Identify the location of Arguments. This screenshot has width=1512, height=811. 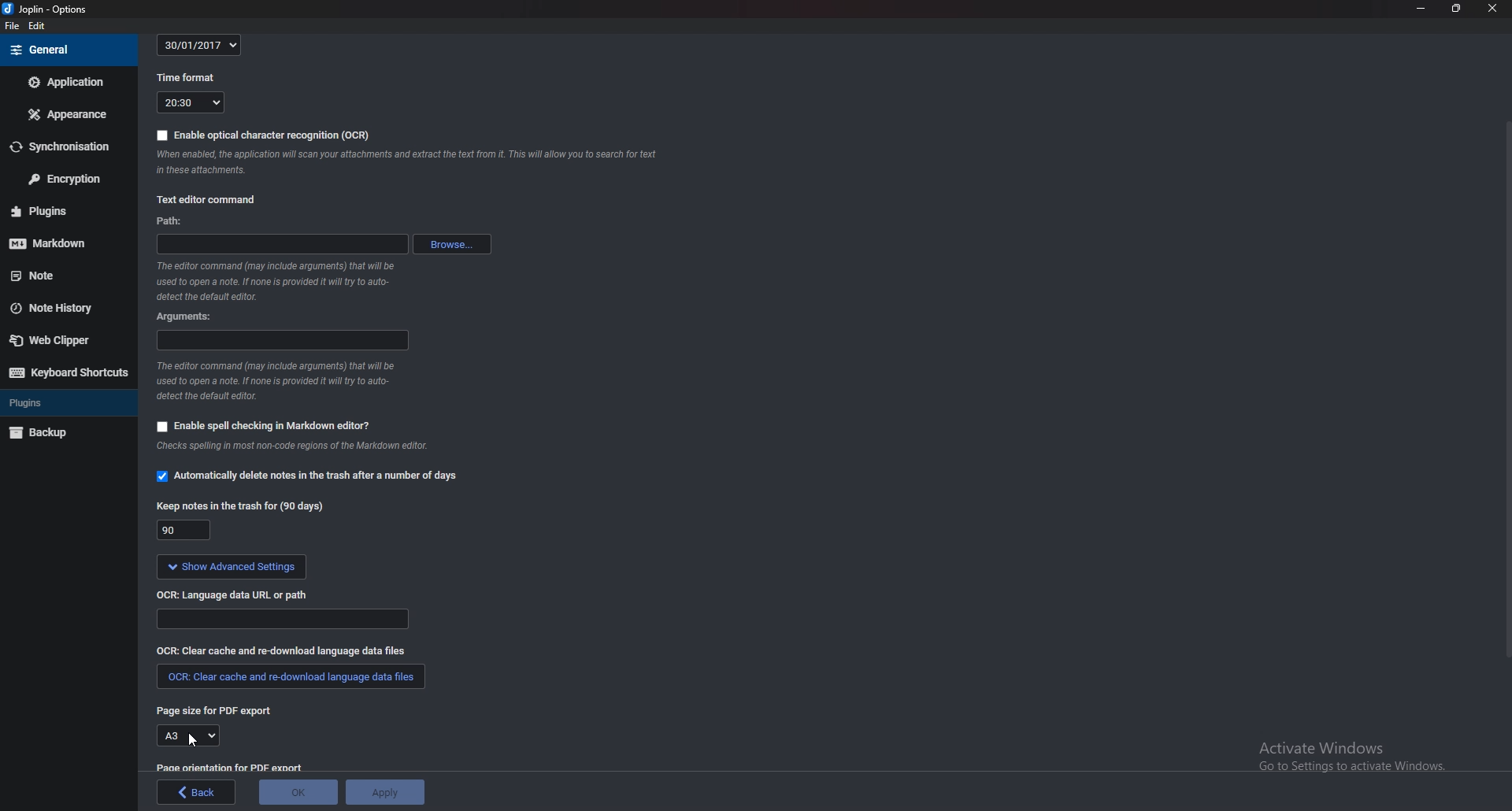
(283, 341).